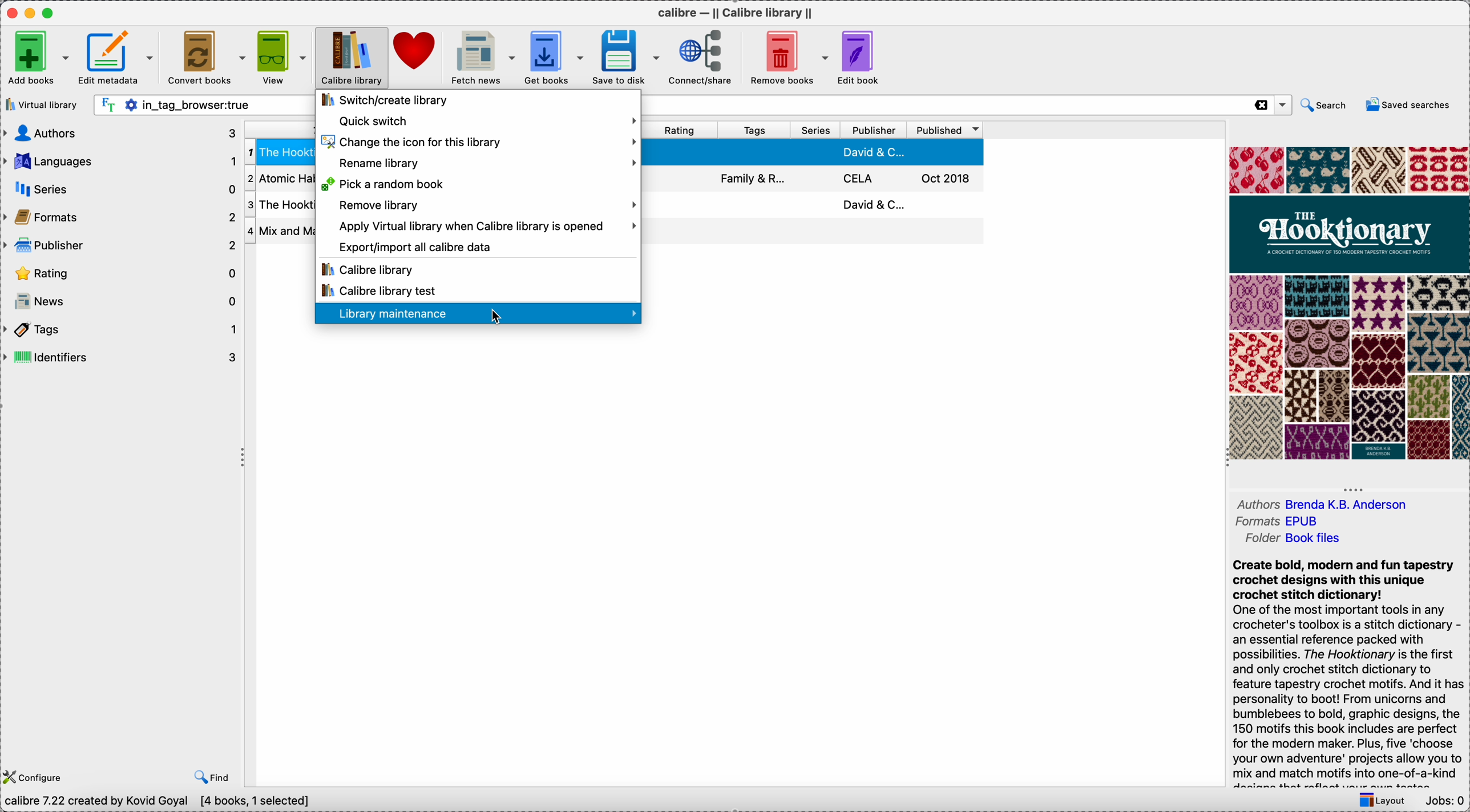  Describe the element at coordinates (34, 777) in the screenshot. I see `configure` at that location.